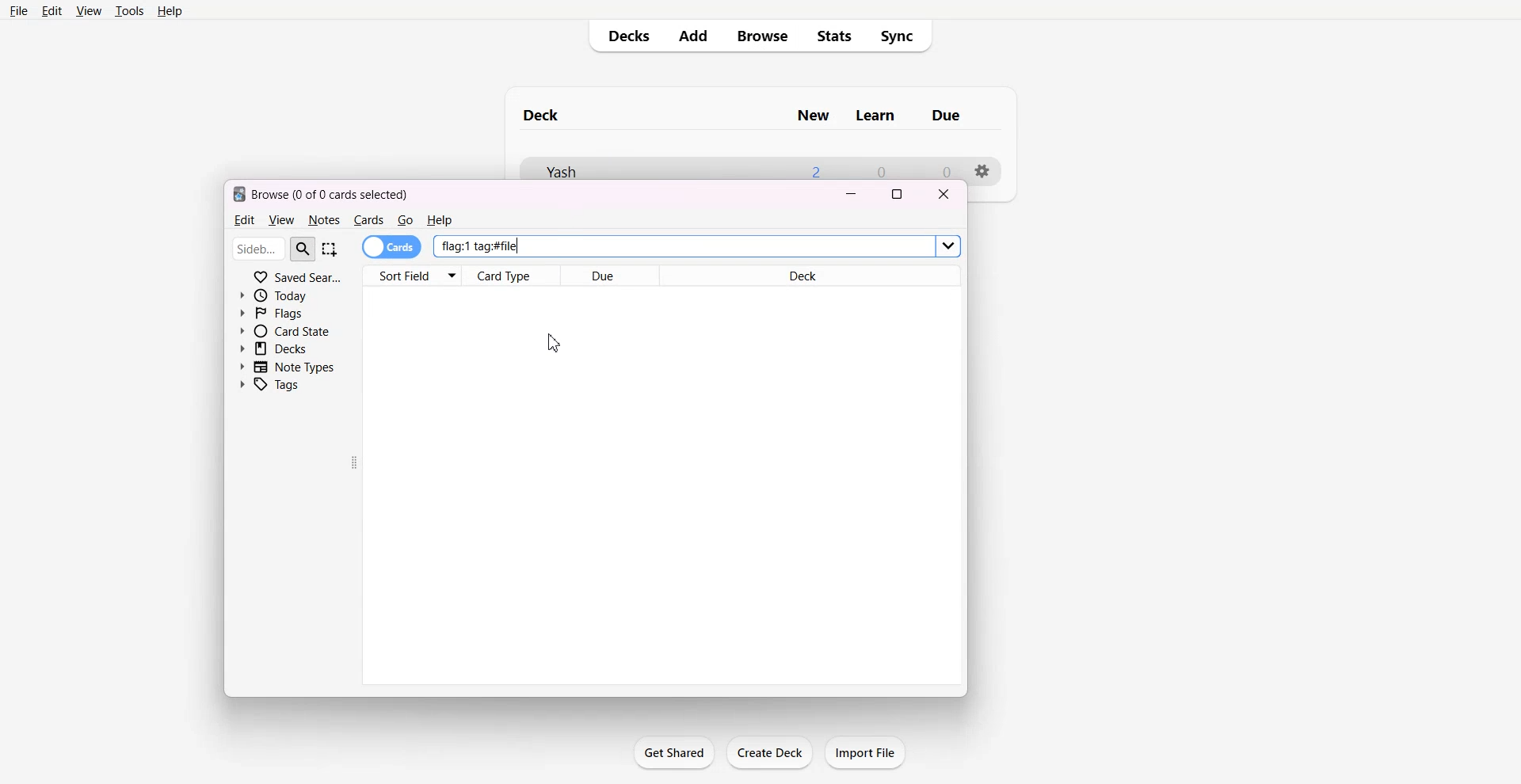 The width and height of the screenshot is (1521, 784). I want to click on Flags, so click(282, 314).